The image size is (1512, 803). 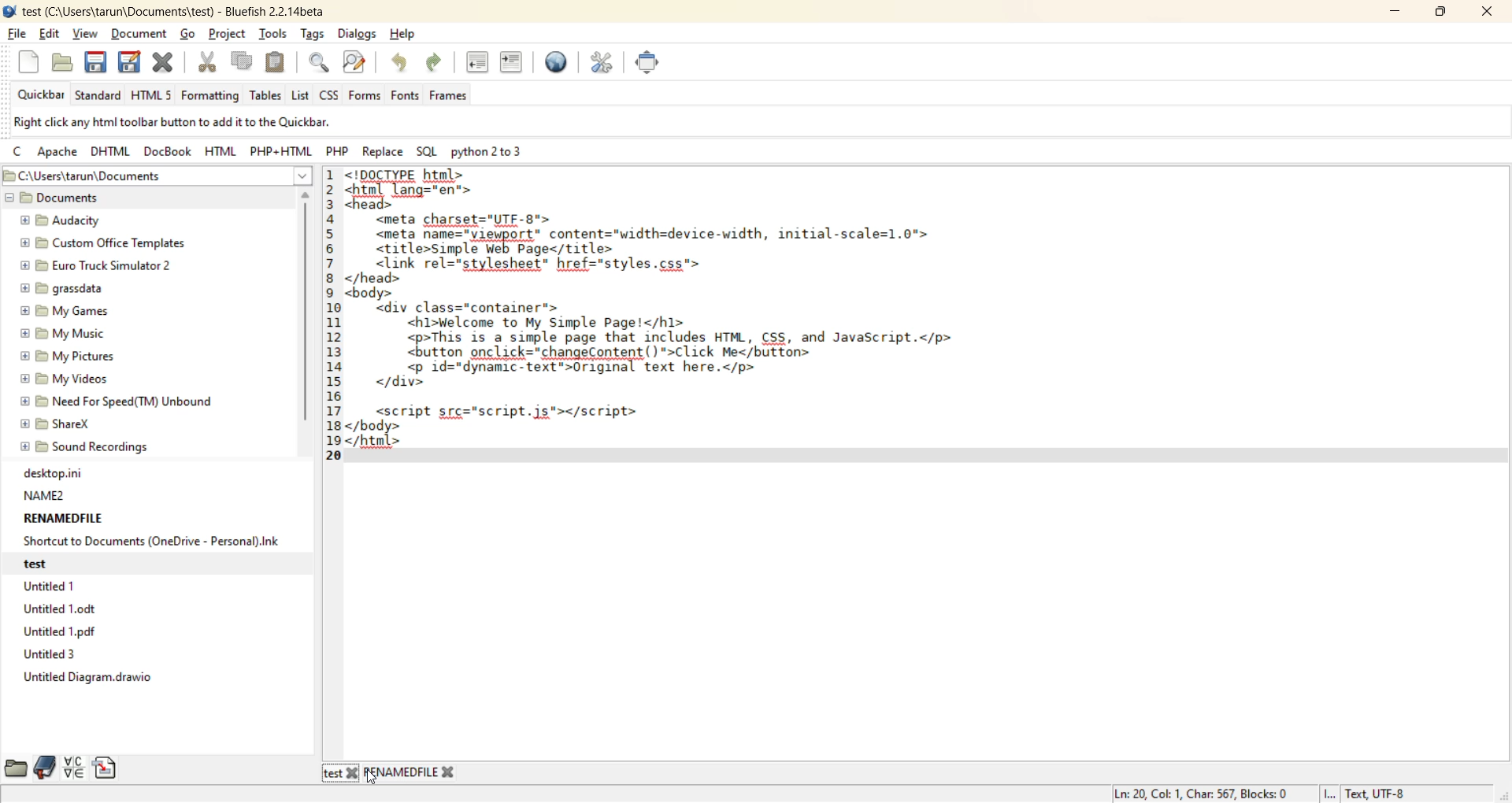 I want to click on fonts, so click(x=407, y=96).